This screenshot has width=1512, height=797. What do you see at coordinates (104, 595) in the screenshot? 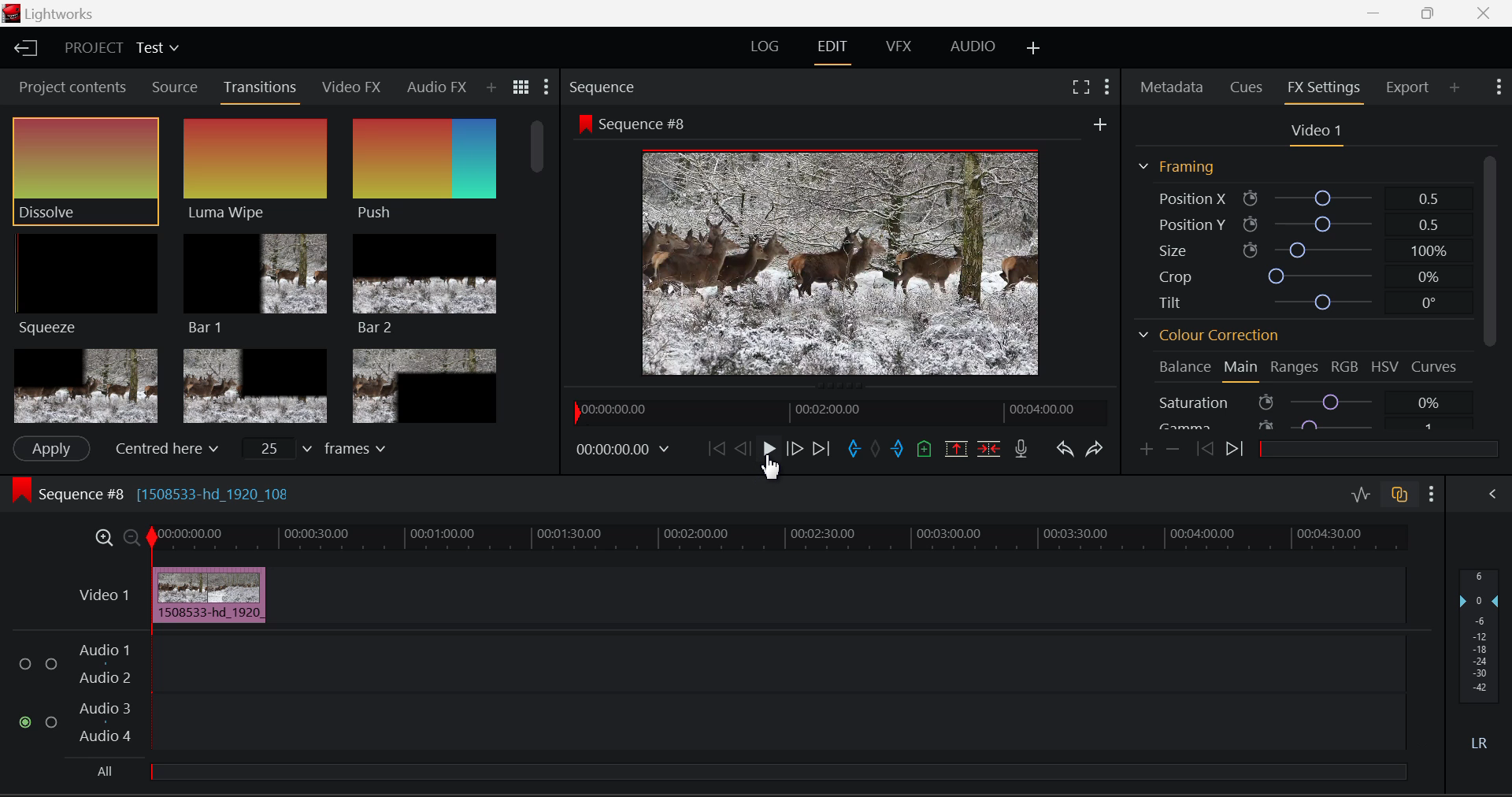
I see `Video Layer` at bounding box center [104, 595].